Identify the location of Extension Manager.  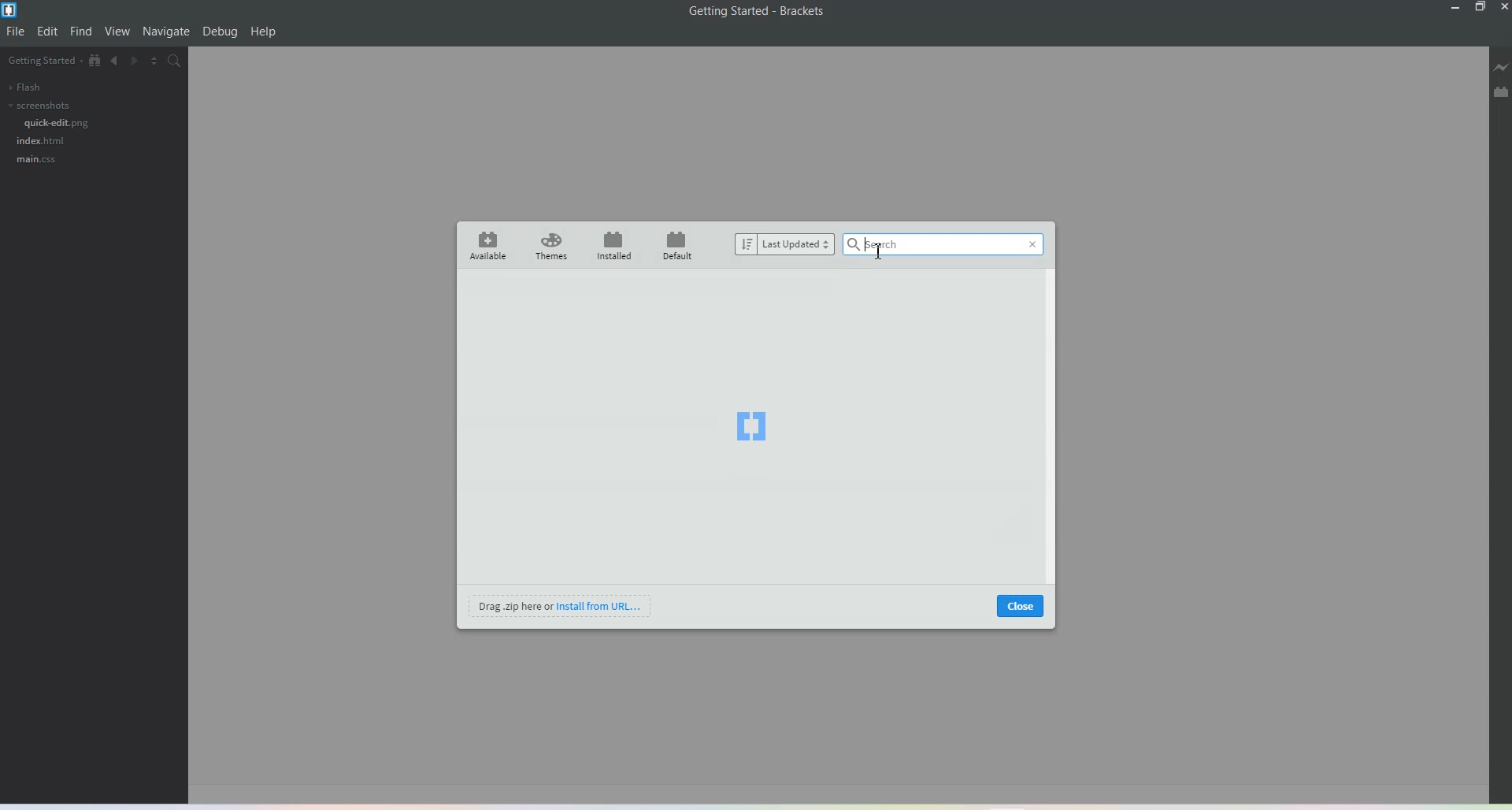
(1501, 94).